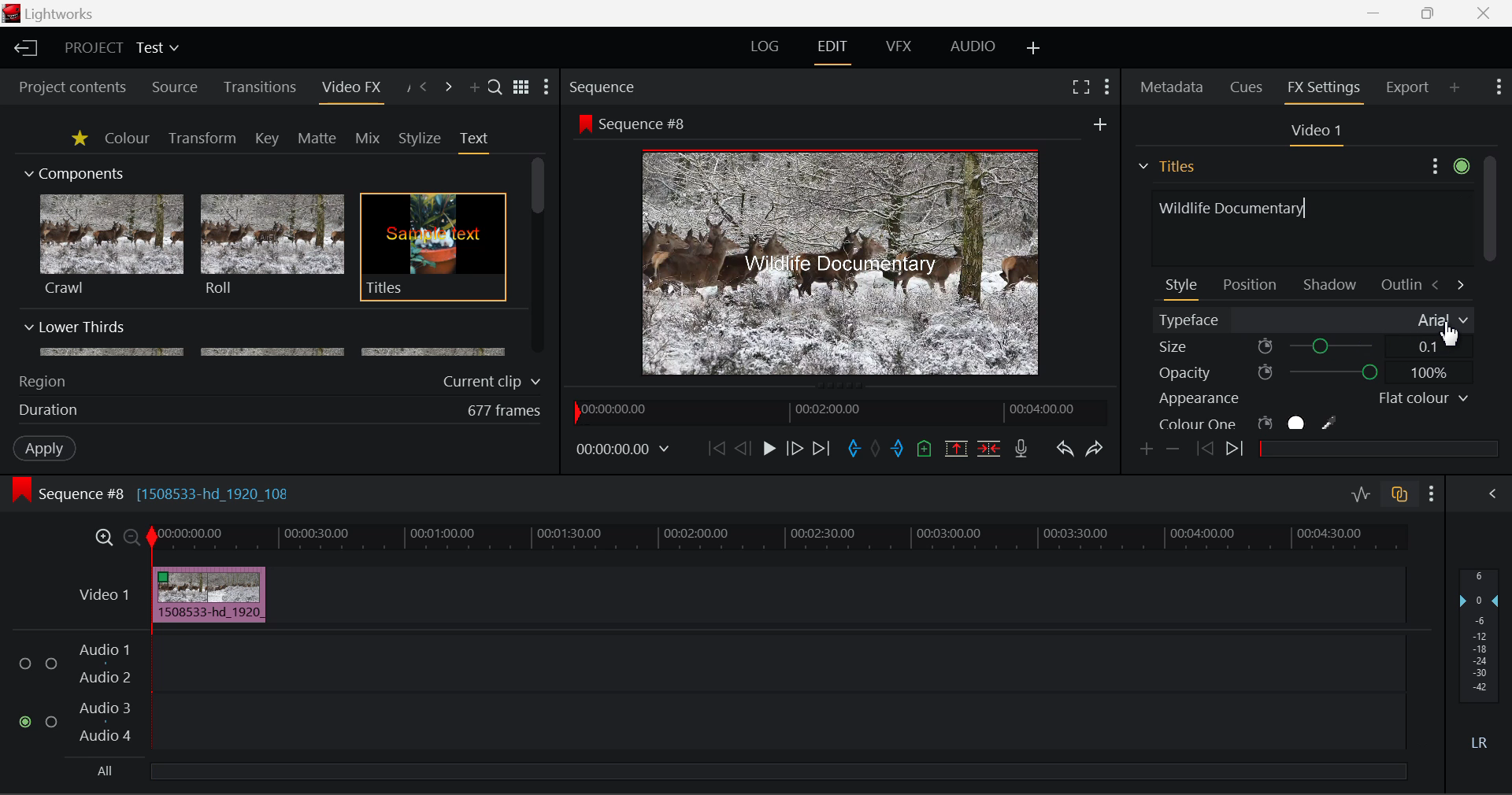 This screenshot has height=795, width=1512. I want to click on Add Layout, so click(1036, 50).